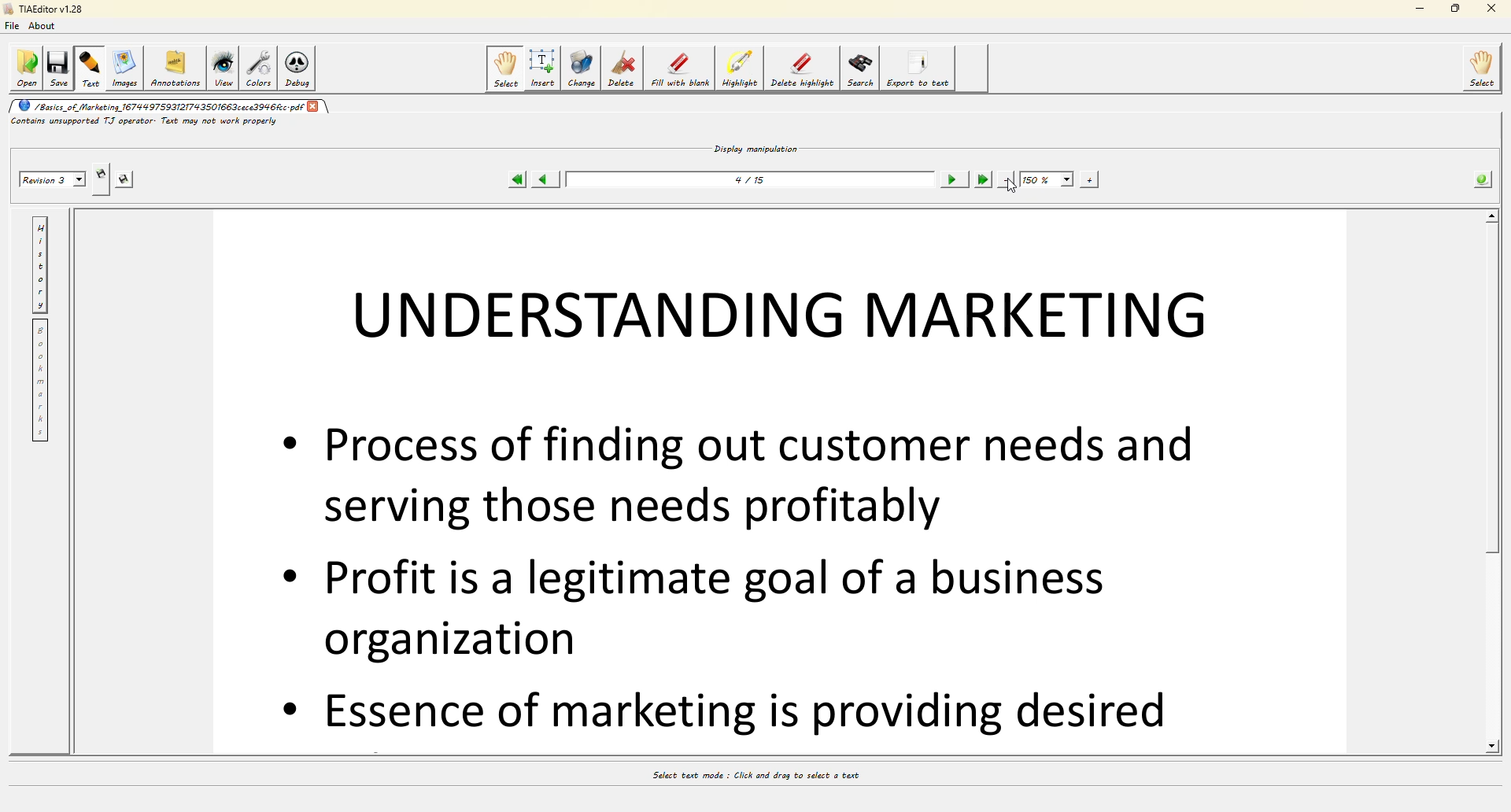 This screenshot has width=1511, height=812. I want to click on save, so click(58, 69).